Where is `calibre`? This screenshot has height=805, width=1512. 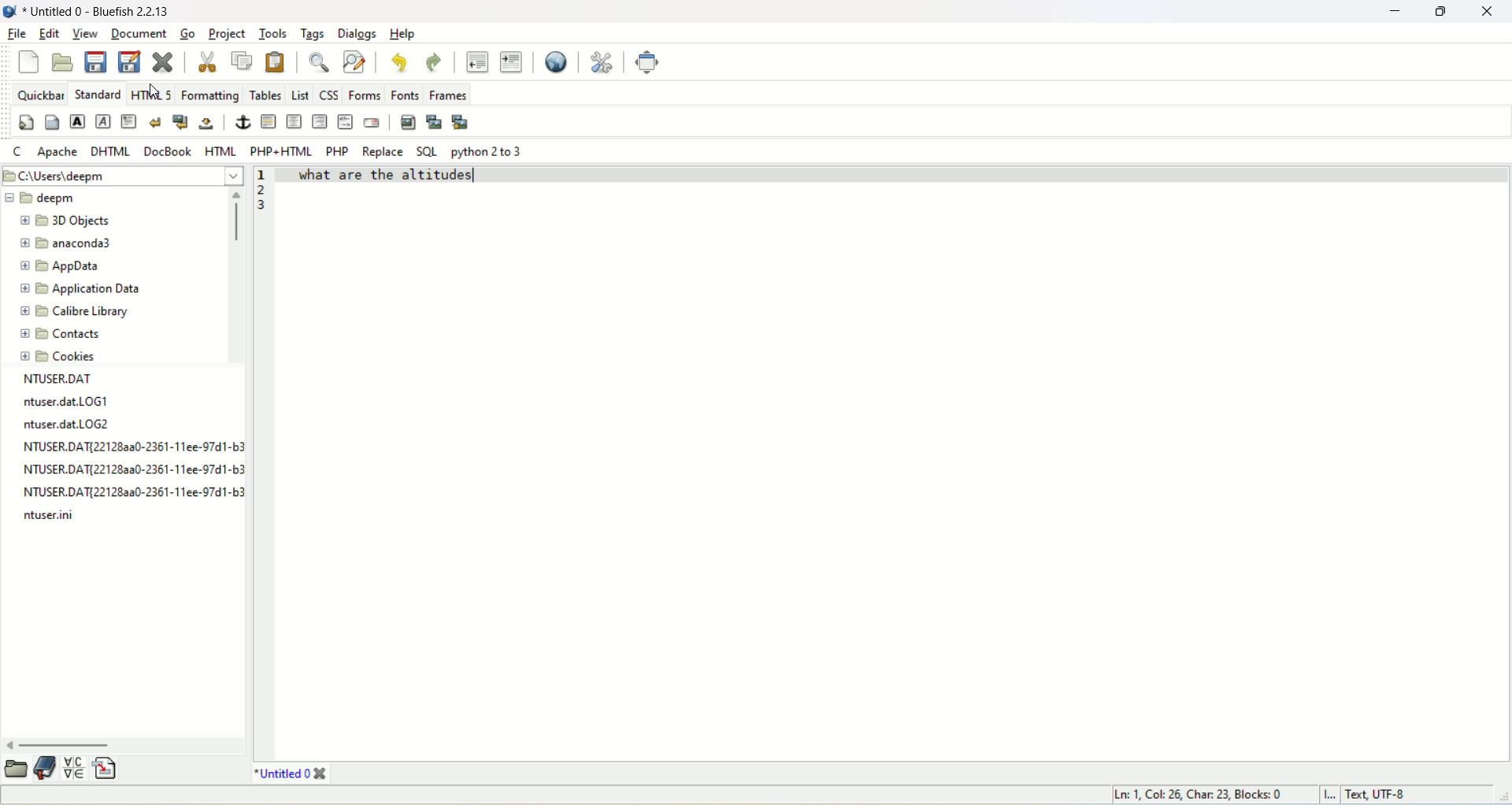
calibre is located at coordinates (76, 313).